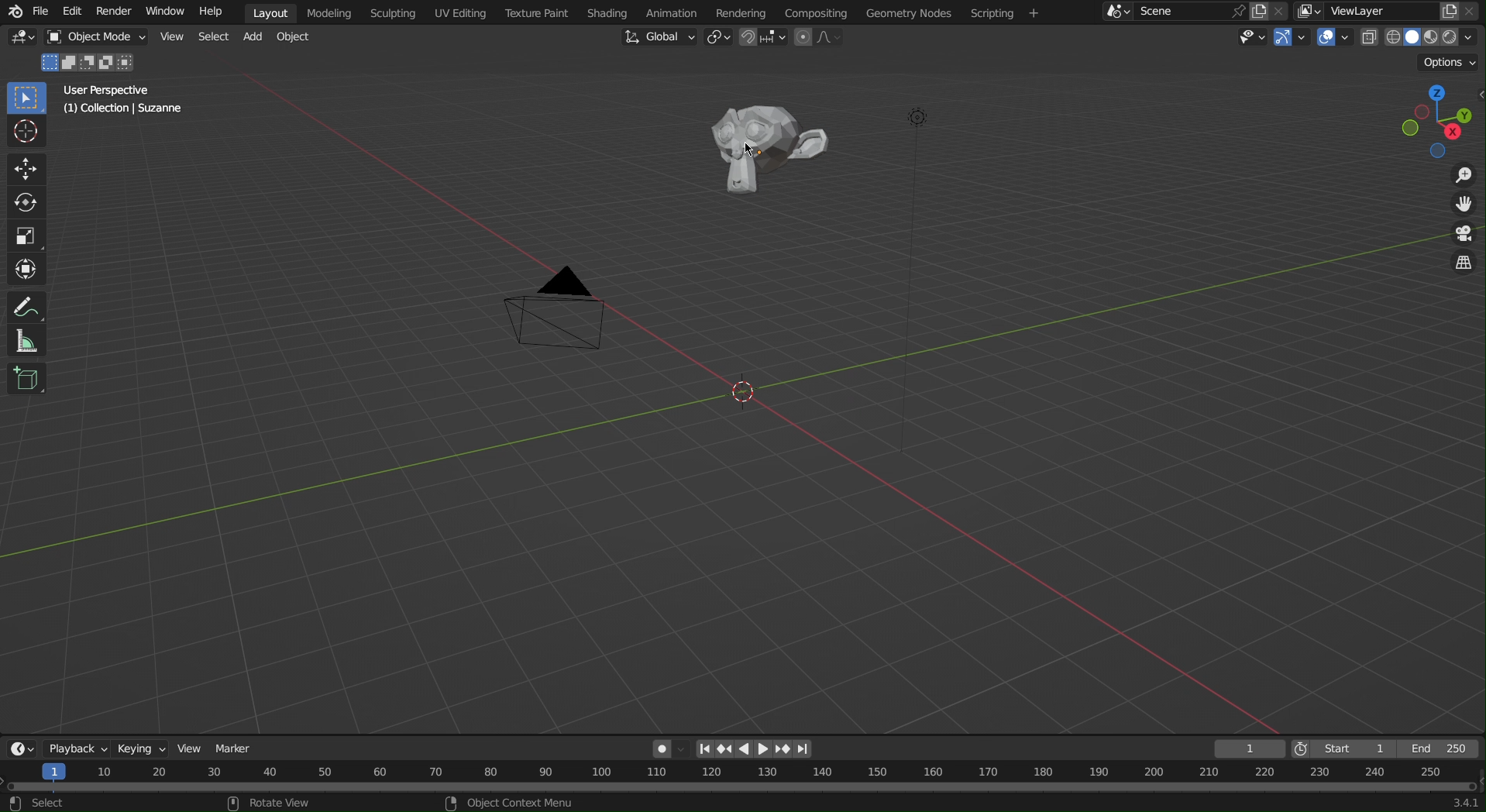 Image resolution: width=1486 pixels, height=812 pixels. What do you see at coordinates (1116, 12) in the screenshot?
I see `Scene drop down` at bounding box center [1116, 12].